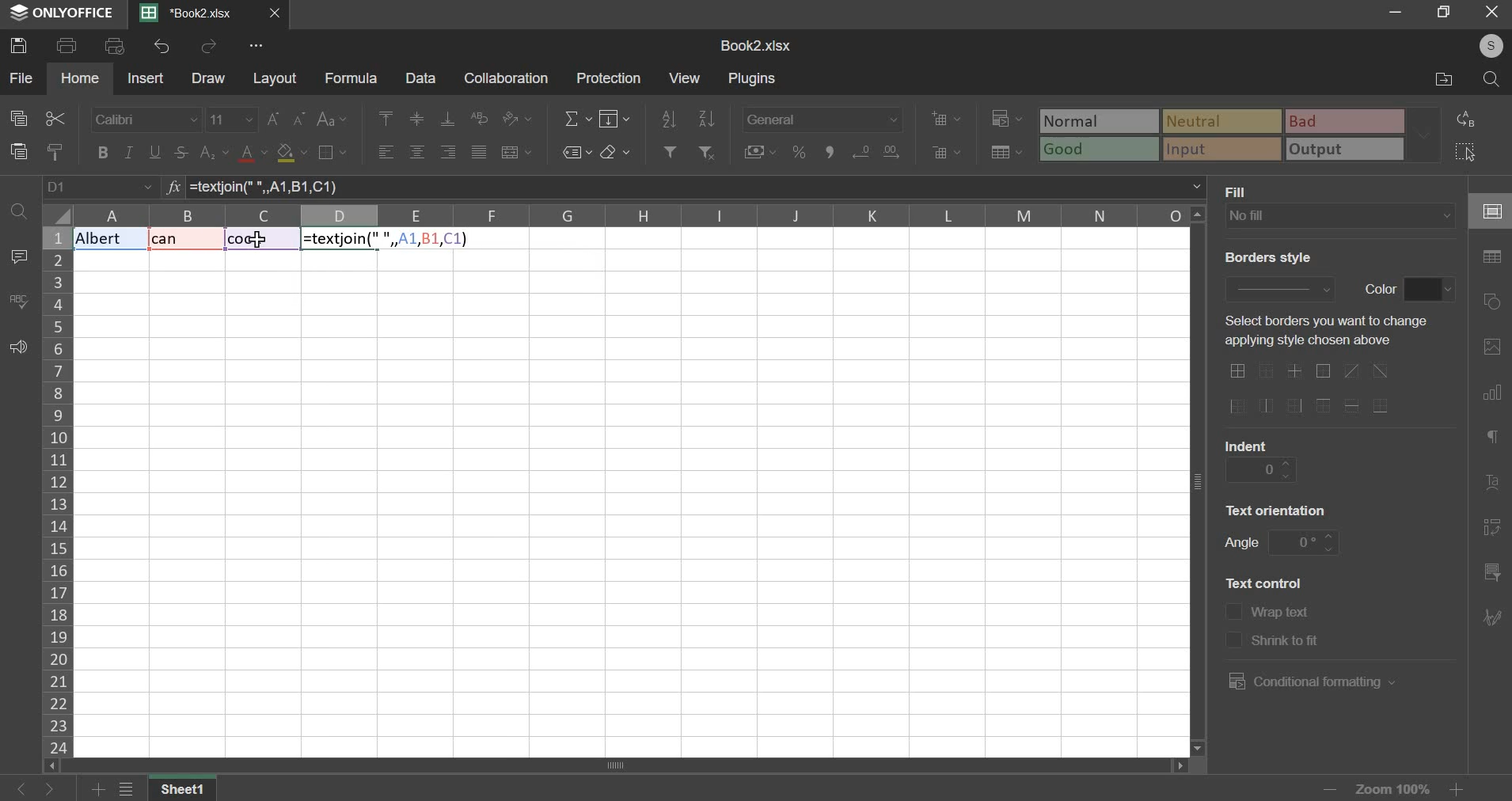  I want to click on chart, so click(1491, 396).